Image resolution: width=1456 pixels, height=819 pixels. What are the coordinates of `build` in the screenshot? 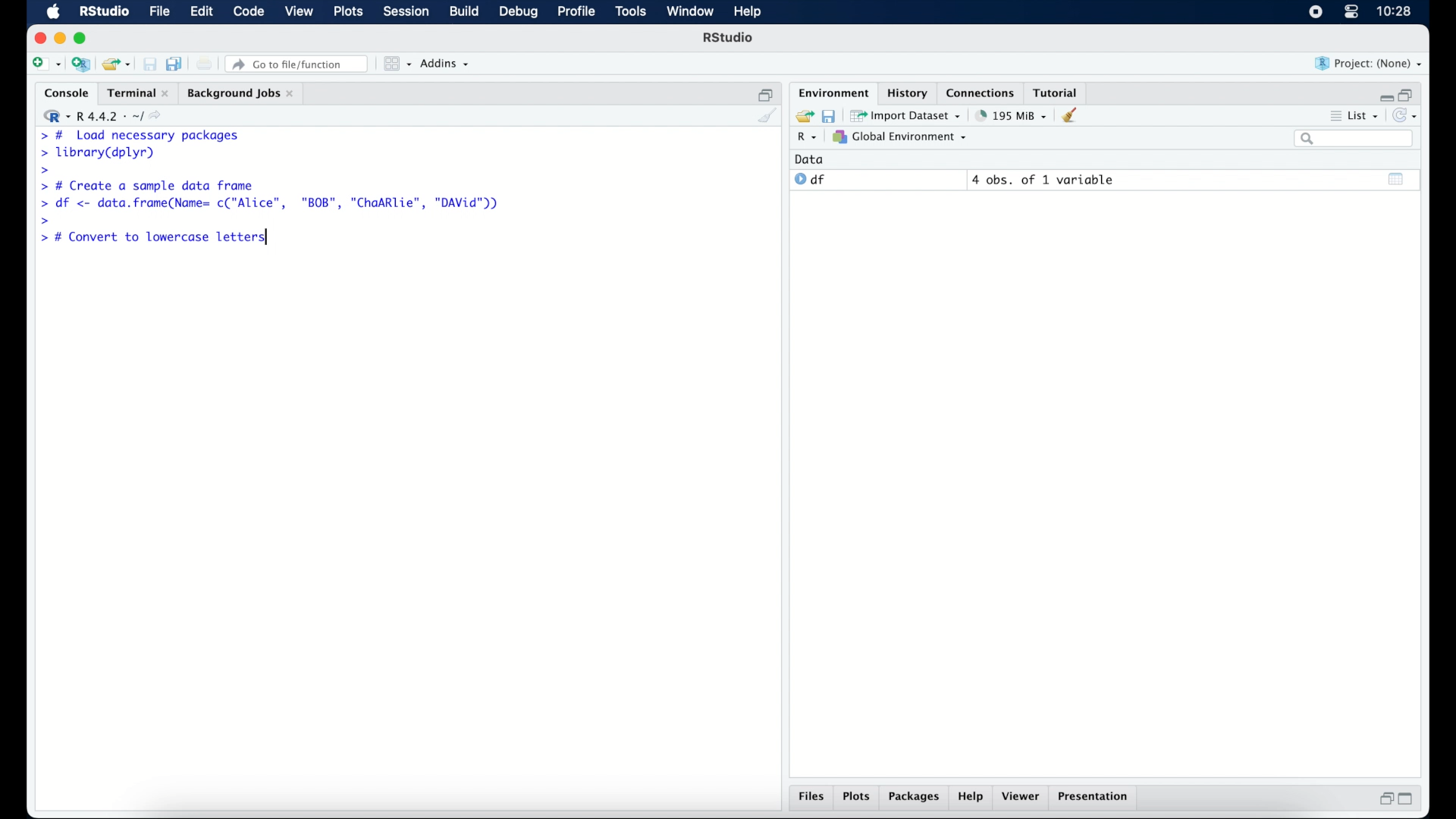 It's located at (463, 12).